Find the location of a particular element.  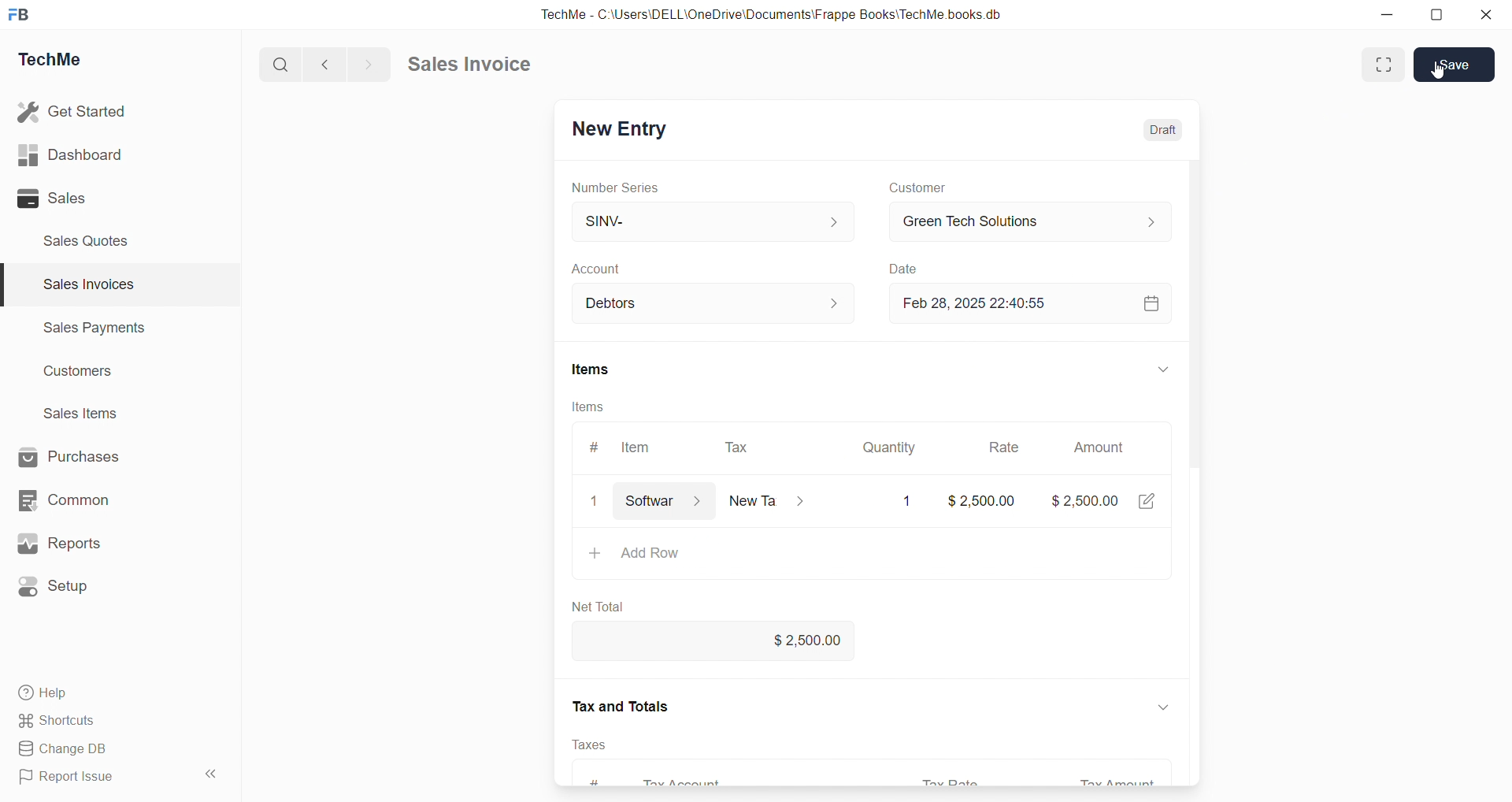

Debtors is located at coordinates (715, 303).